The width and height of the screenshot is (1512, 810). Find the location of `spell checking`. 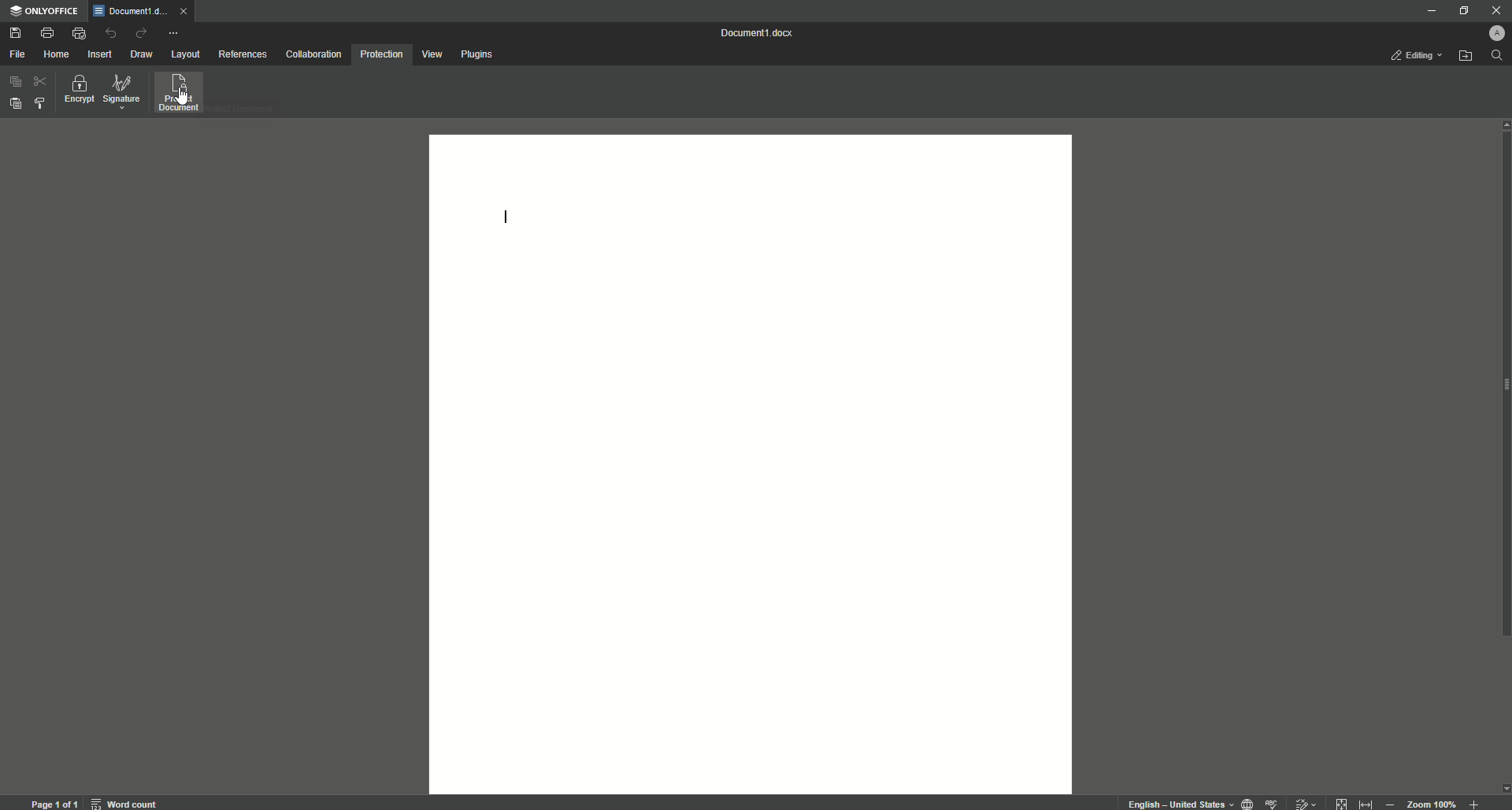

spell checking is located at coordinates (1273, 802).